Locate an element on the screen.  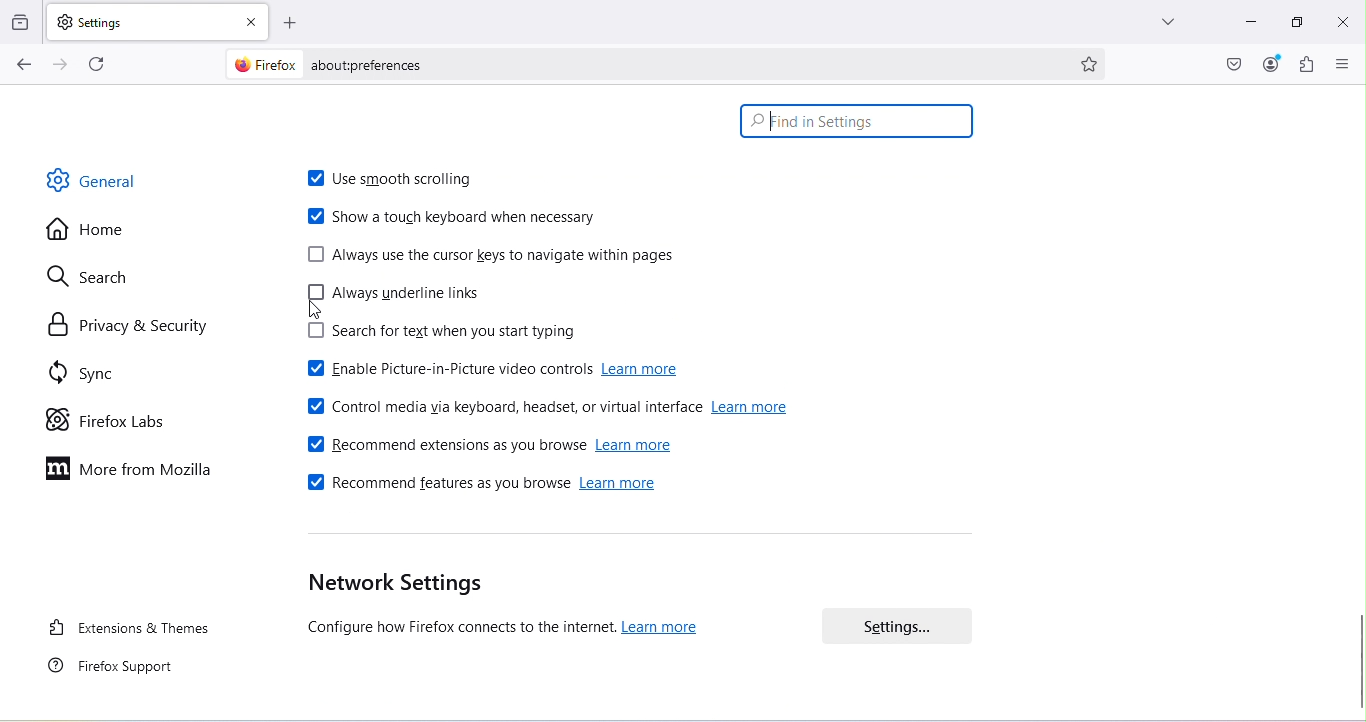
Minimize is located at coordinates (1250, 24).